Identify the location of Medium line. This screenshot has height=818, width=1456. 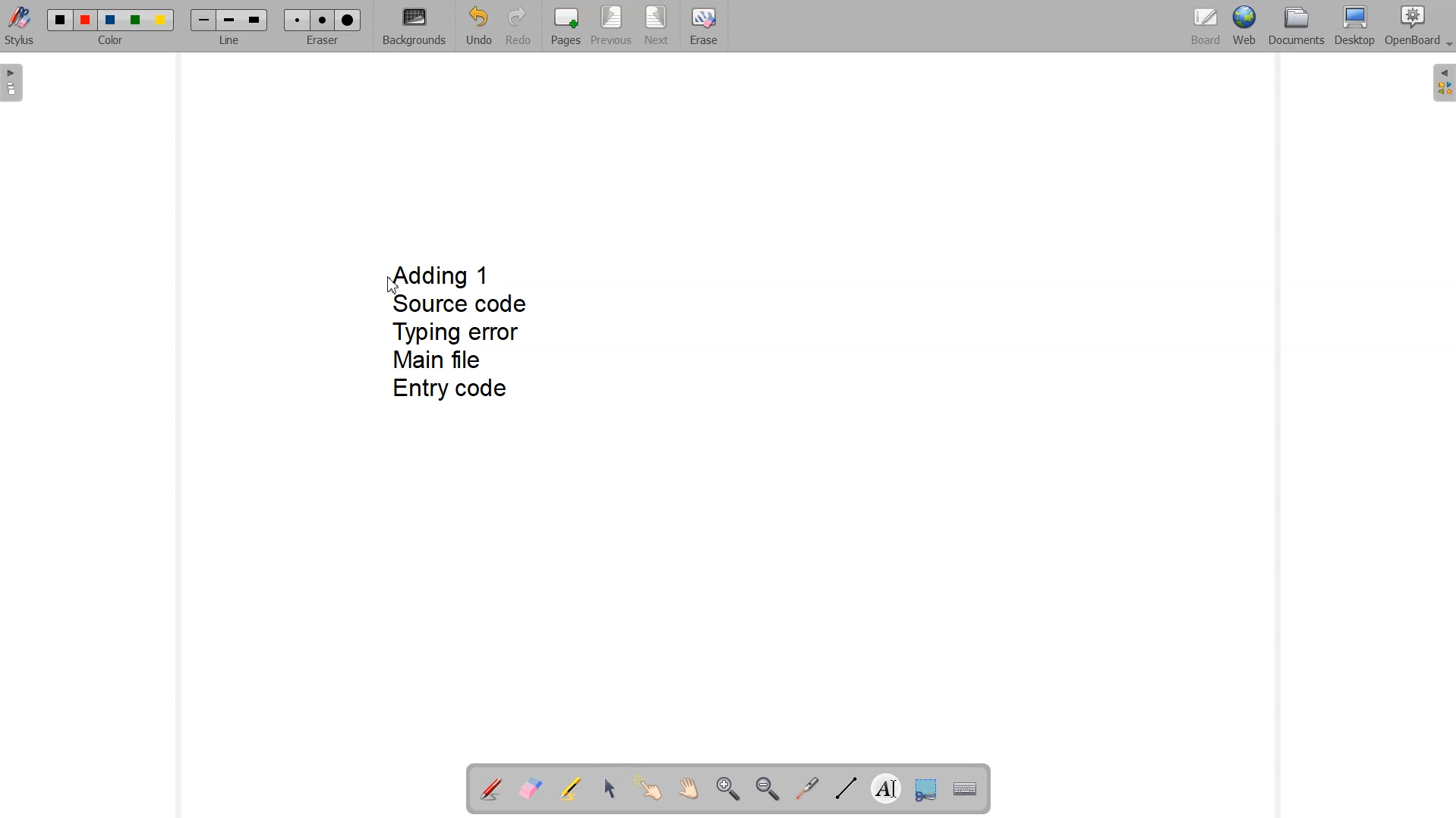
(230, 20).